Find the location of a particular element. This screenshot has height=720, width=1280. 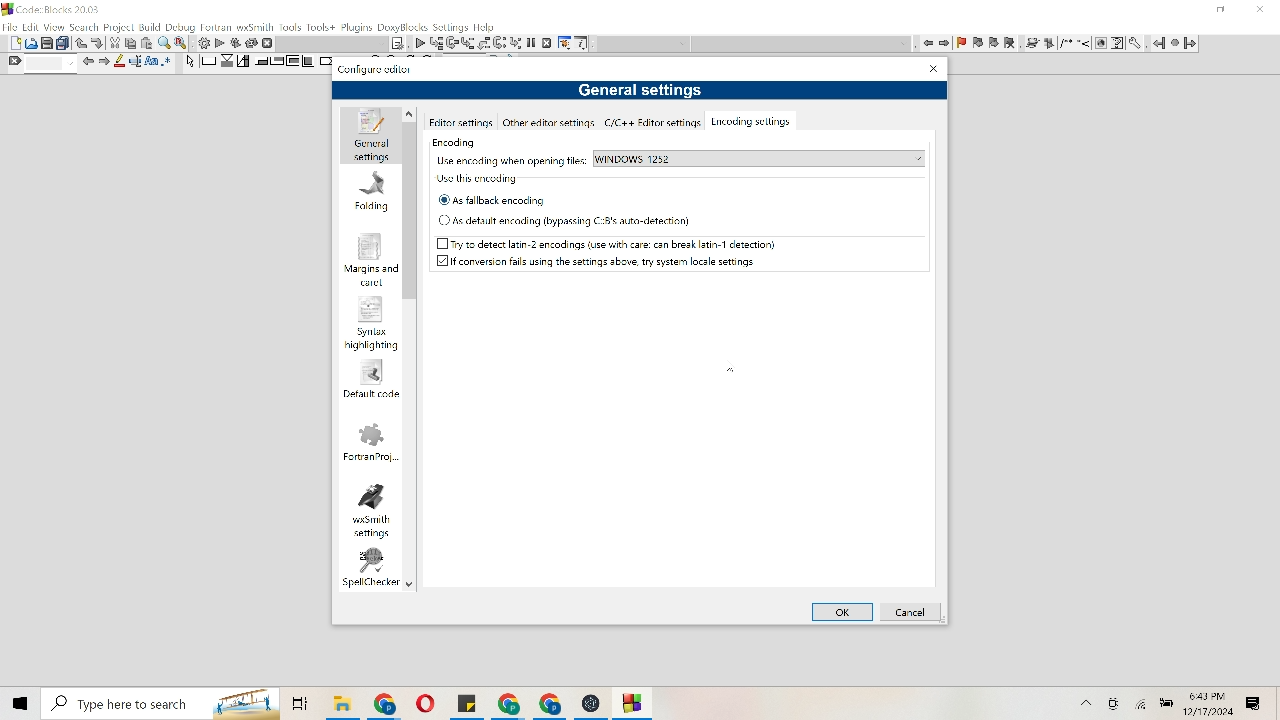

Pencil is located at coordinates (121, 61).